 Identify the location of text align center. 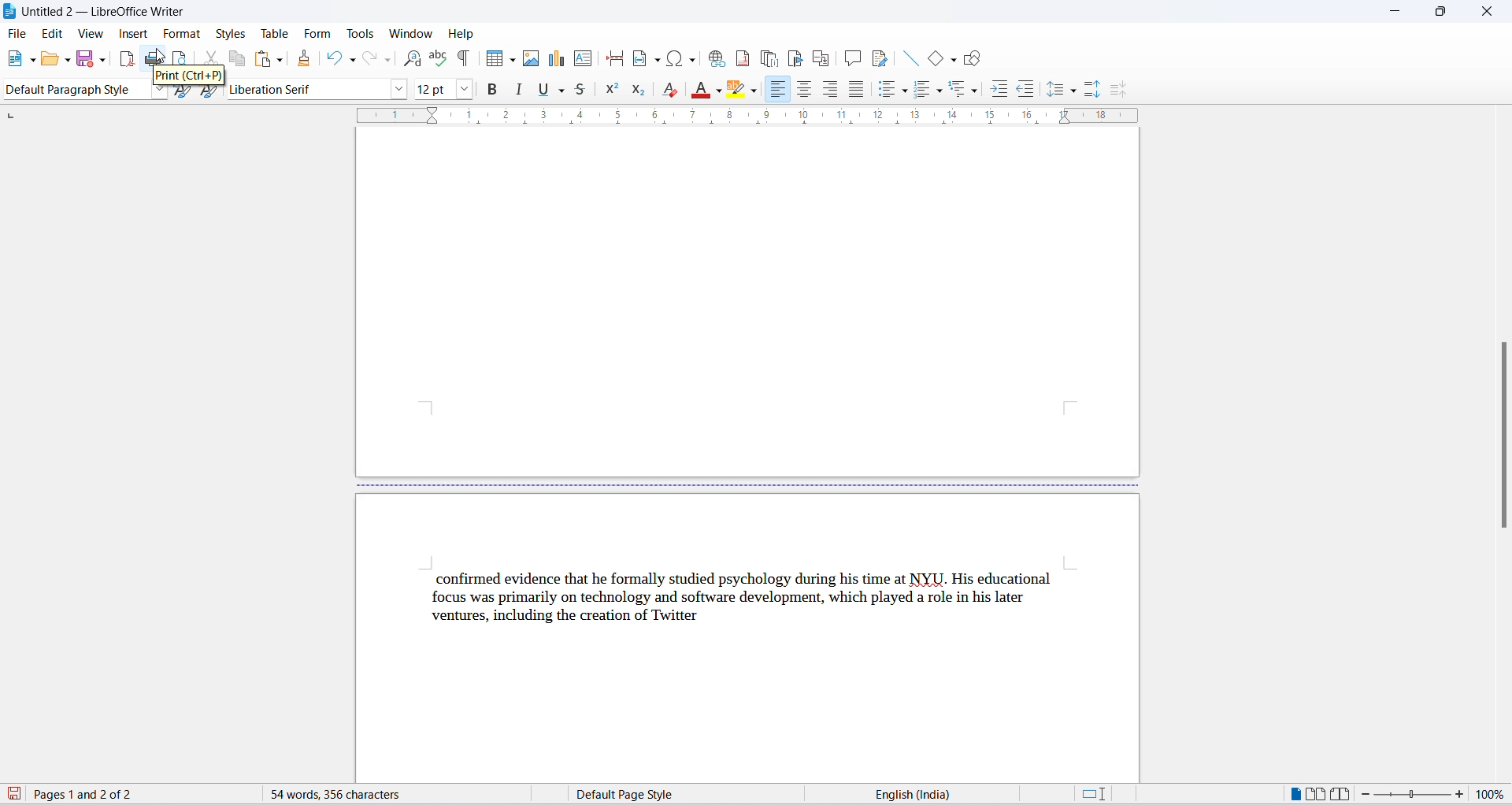
(802, 88).